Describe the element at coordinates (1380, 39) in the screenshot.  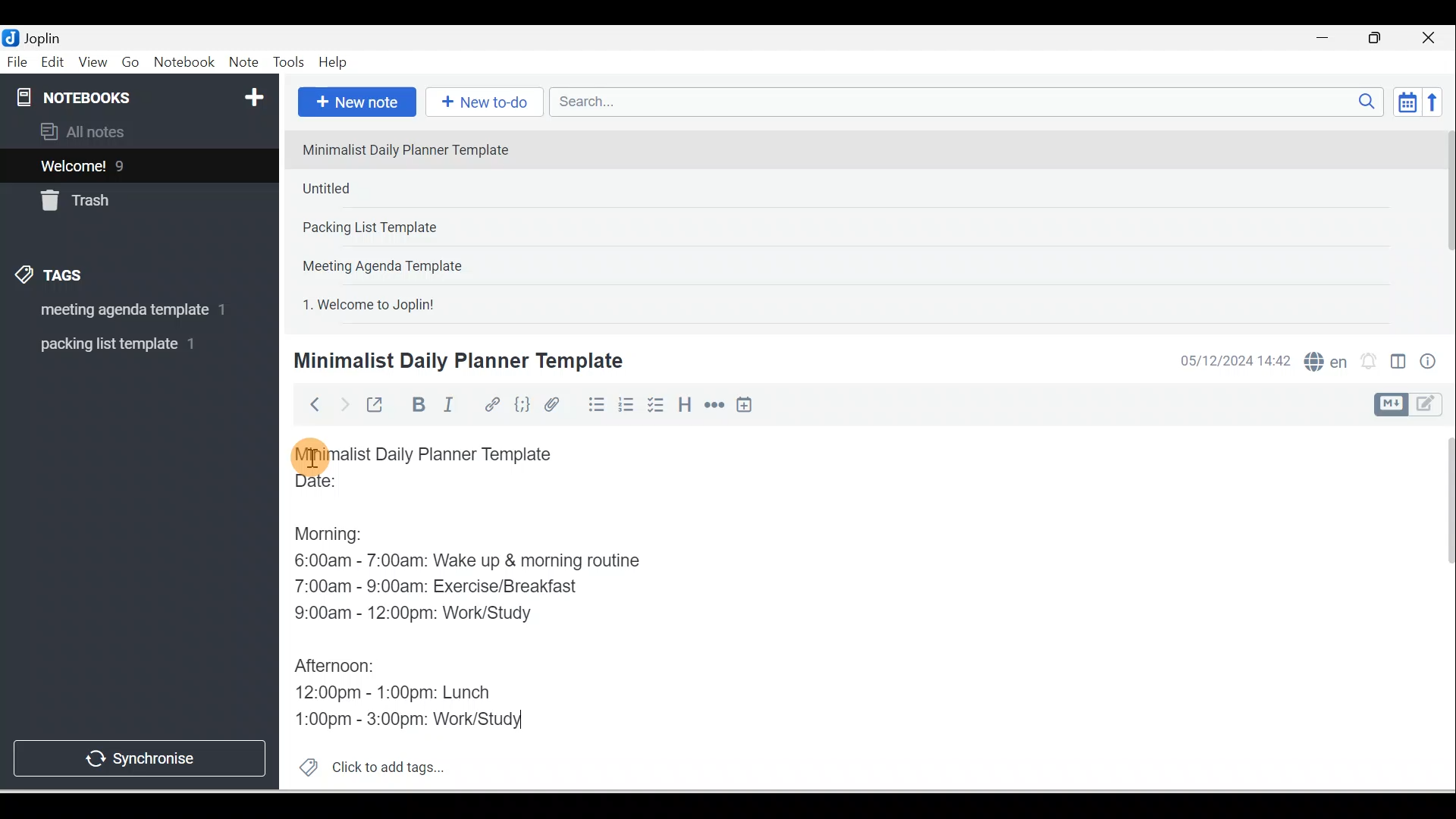
I see `Maximise` at that location.